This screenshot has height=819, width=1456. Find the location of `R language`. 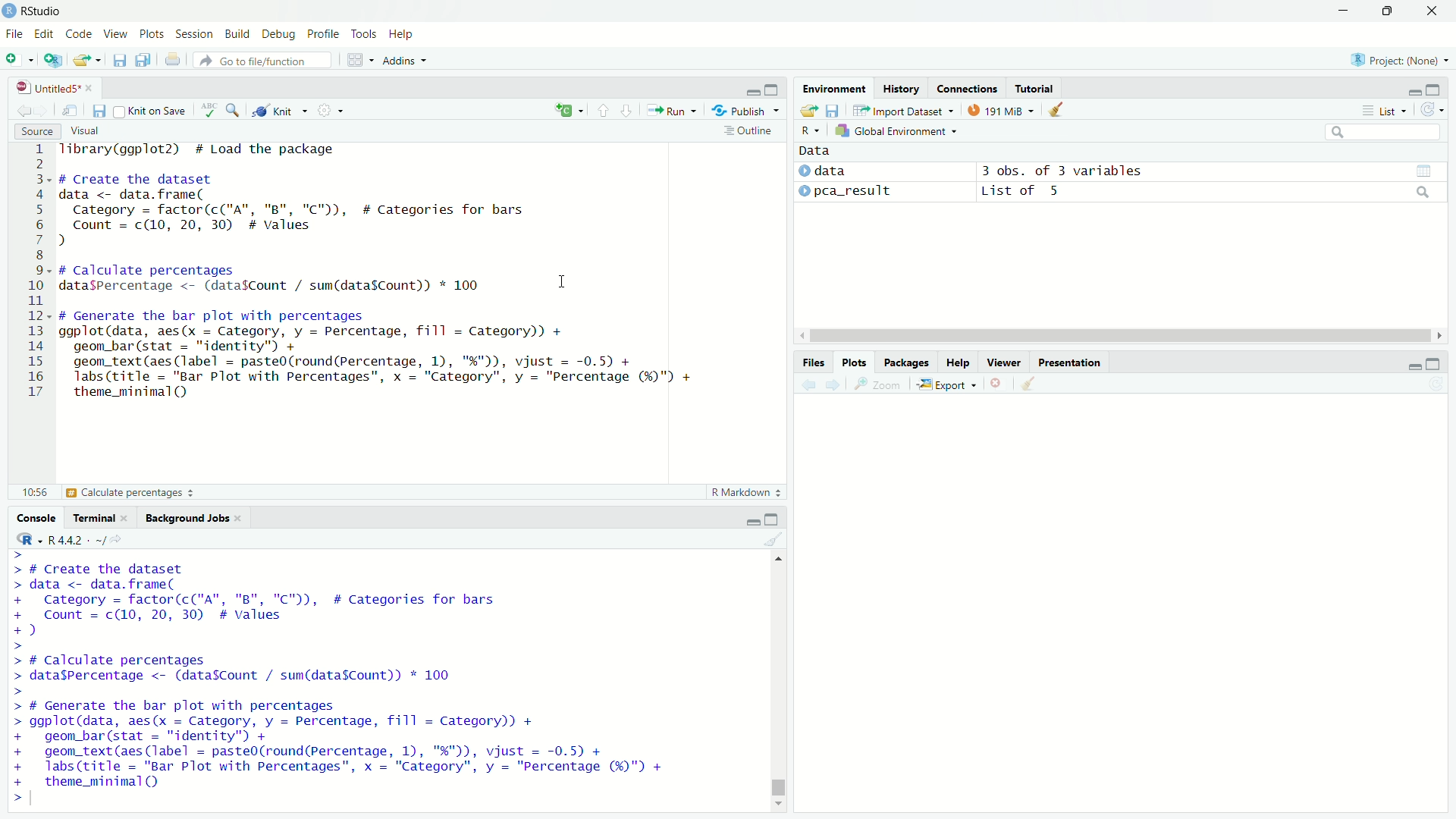

R language is located at coordinates (27, 538).